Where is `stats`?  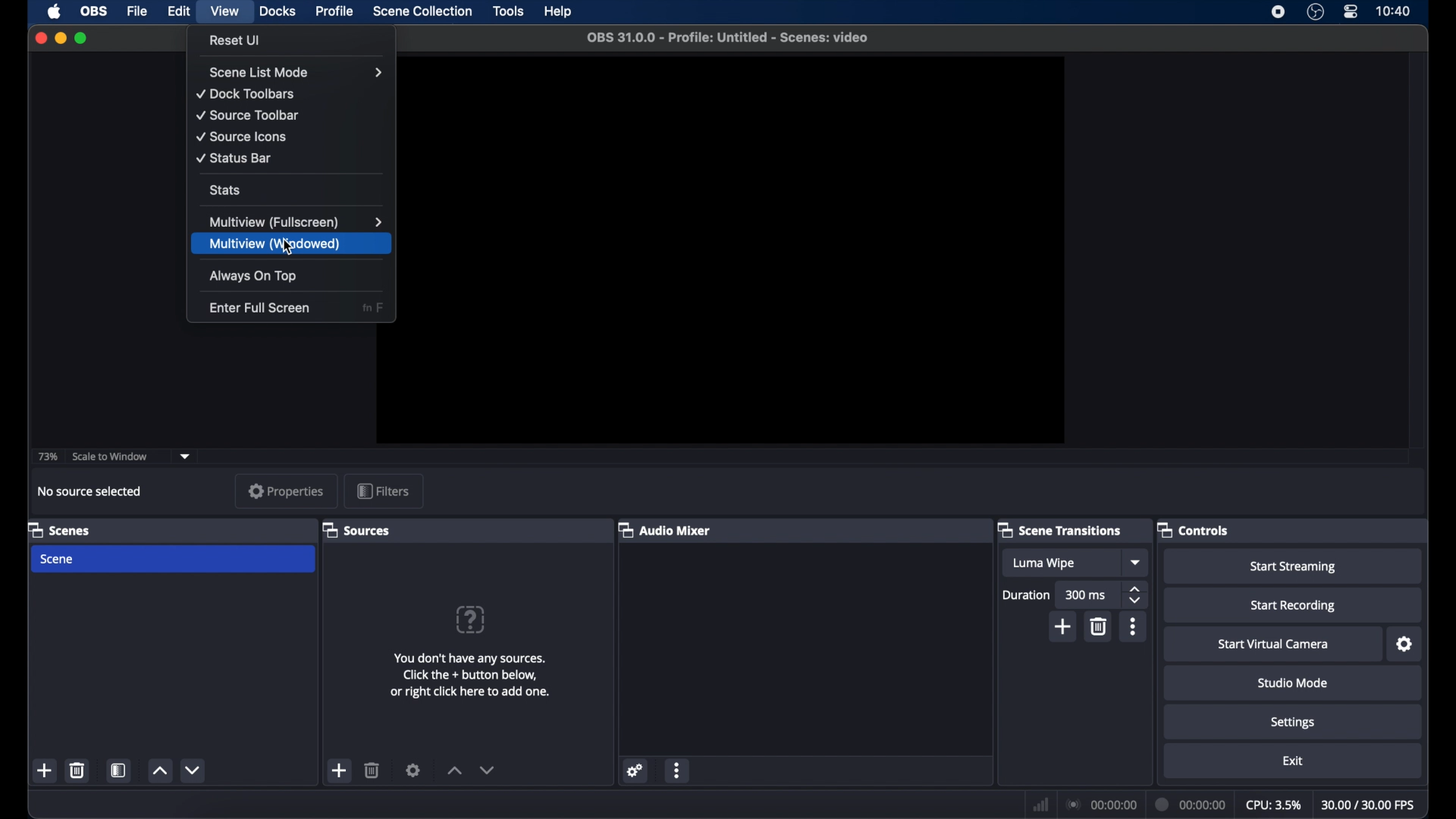 stats is located at coordinates (224, 189).